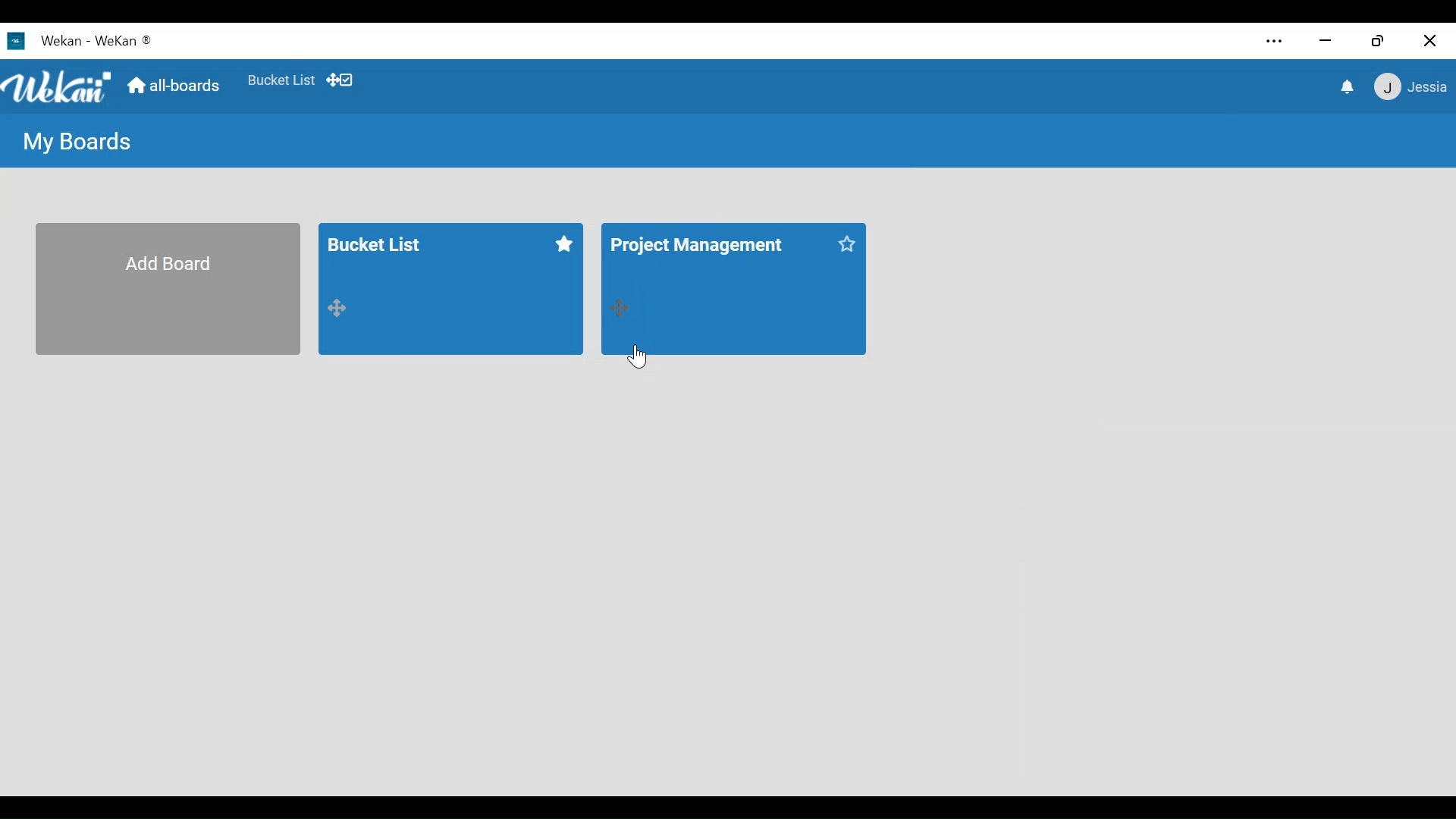 Image resolution: width=1456 pixels, height=819 pixels. Describe the element at coordinates (76, 142) in the screenshot. I see `My Boards` at that location.